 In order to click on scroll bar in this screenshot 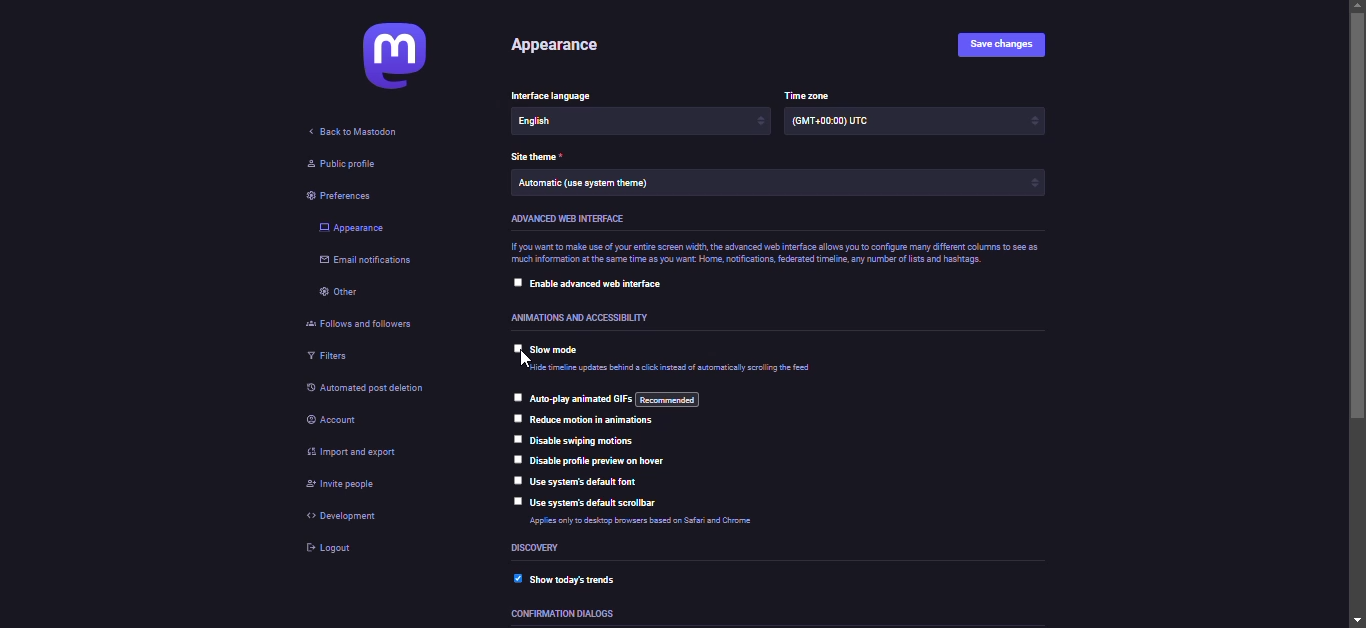, I will do `click(1359, 212)`.